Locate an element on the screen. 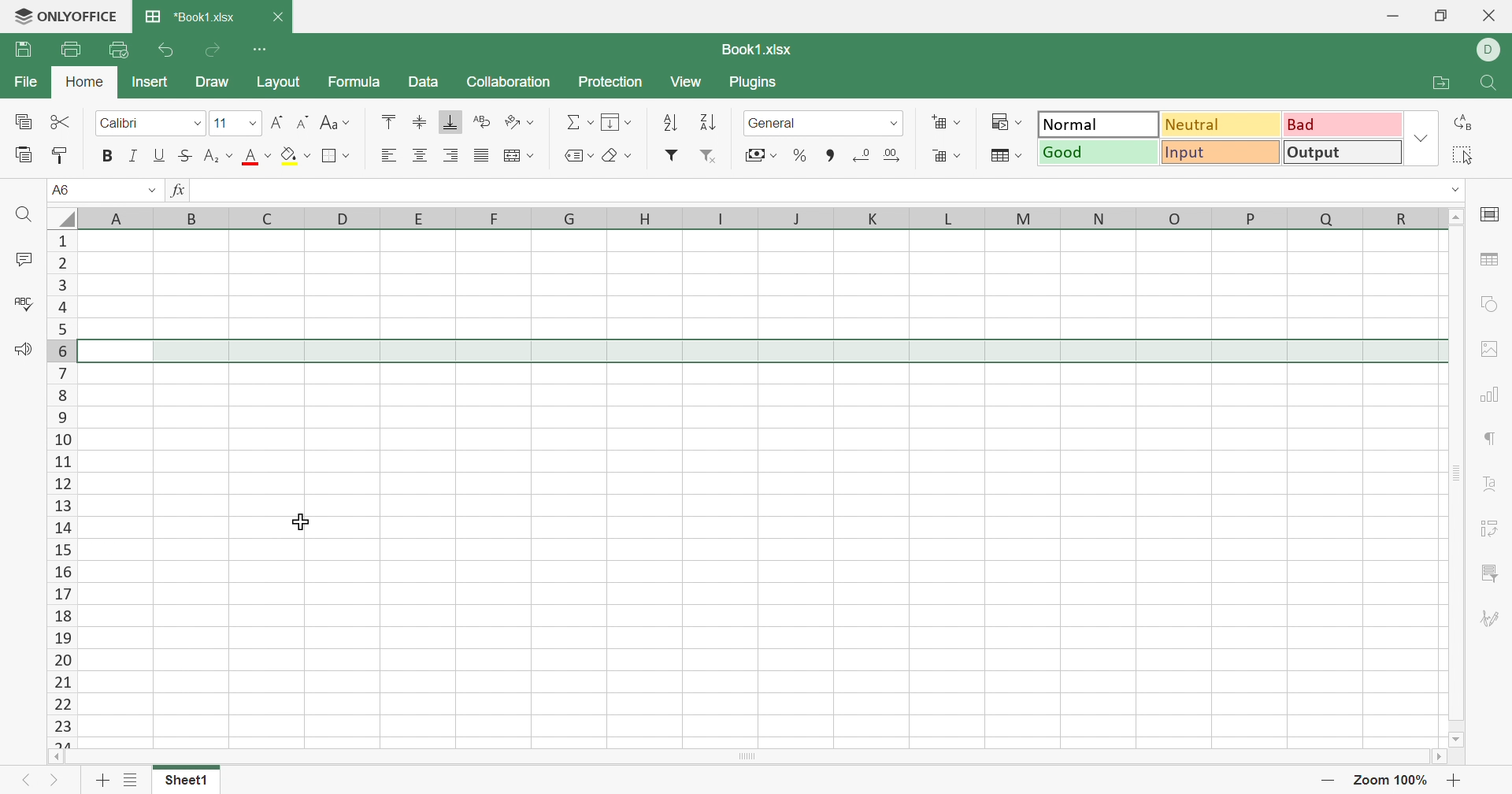 The width and height of the screenshot is (1512, 794). Decrease decimal is located at coordinates (872, 159).